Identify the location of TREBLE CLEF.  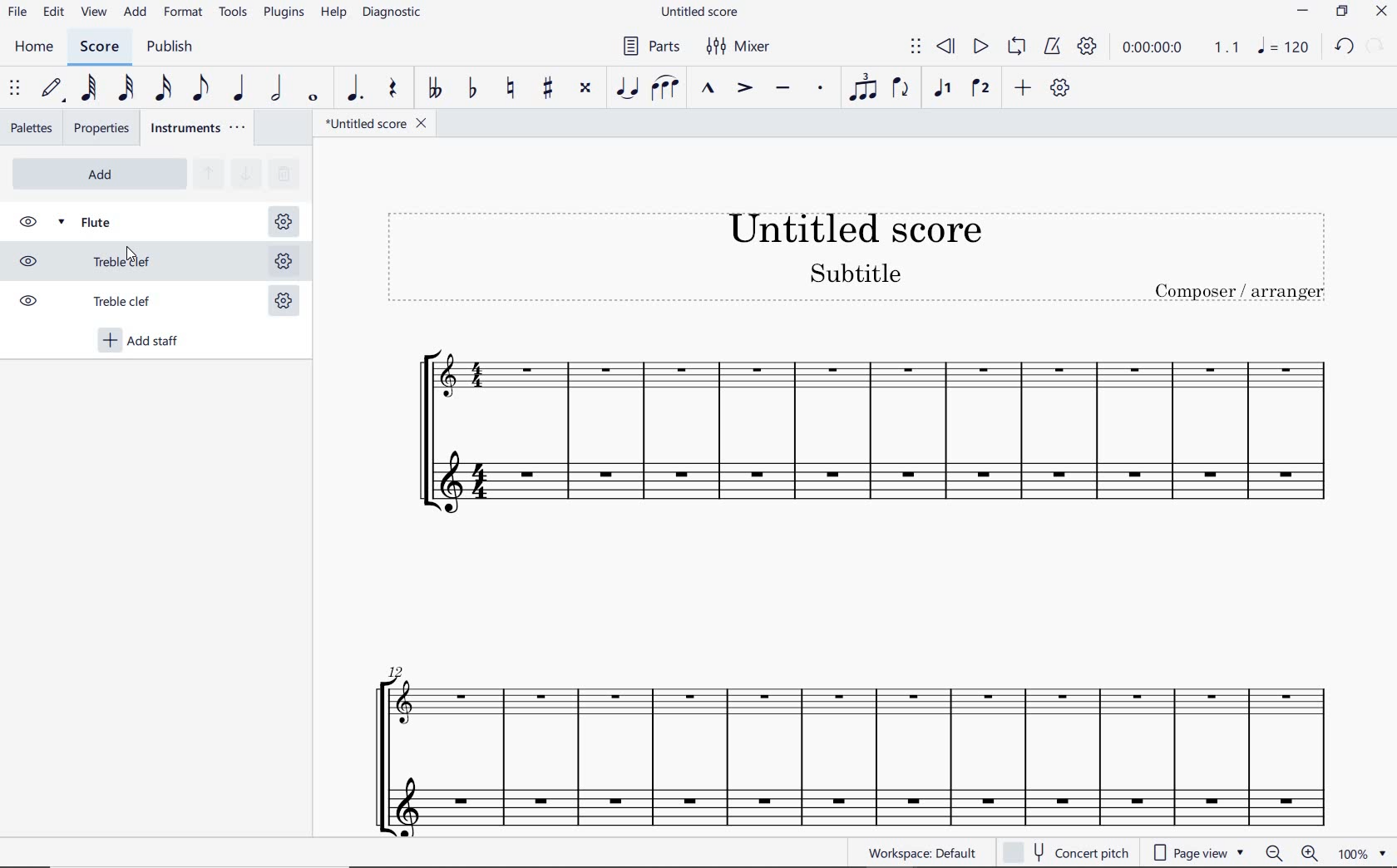
(102, 303).